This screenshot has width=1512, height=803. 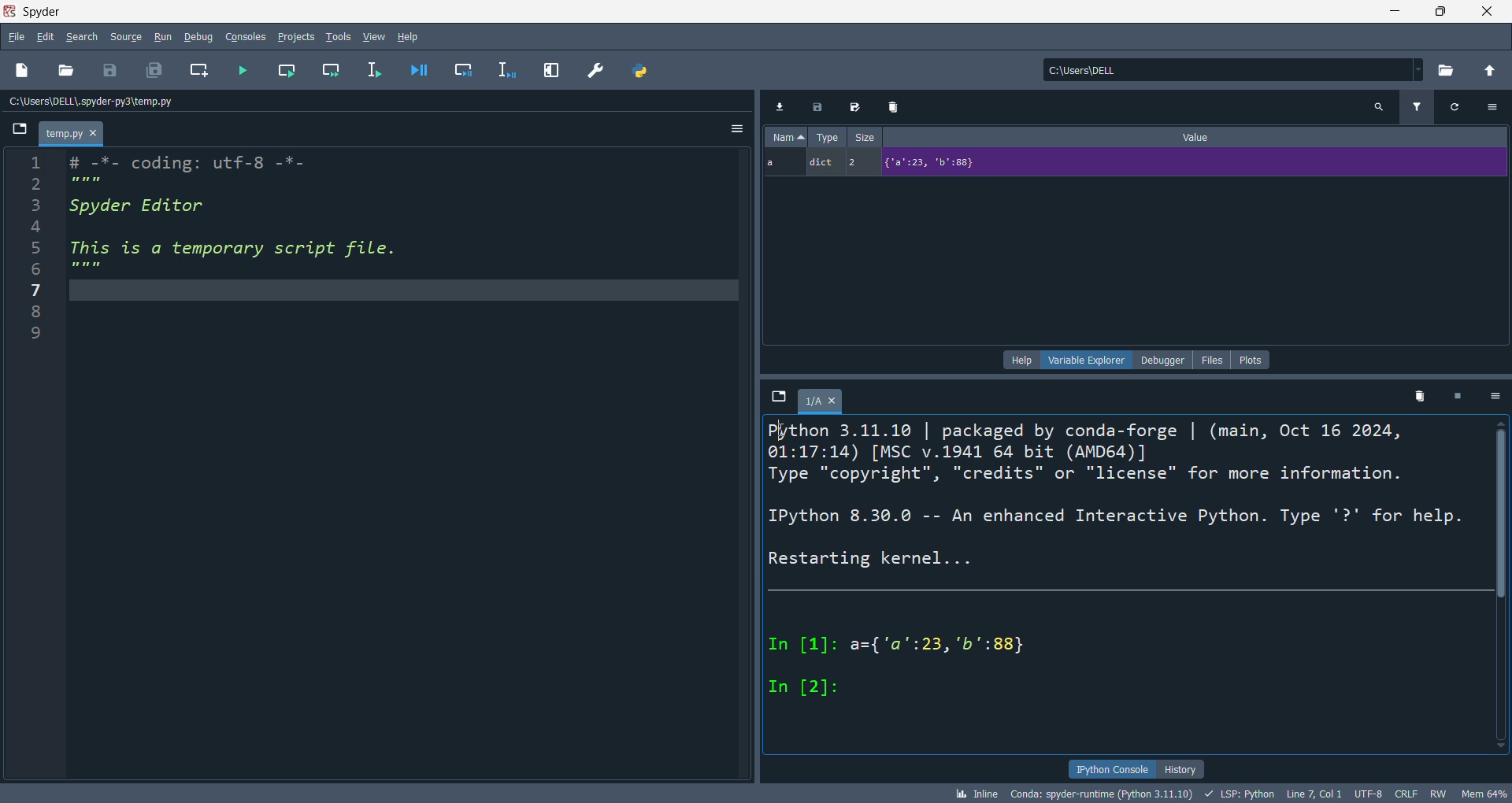 What do you see at coordinates (471, 69) in the screenshot?
I see `debug cell` at bounding box center [471, 69].